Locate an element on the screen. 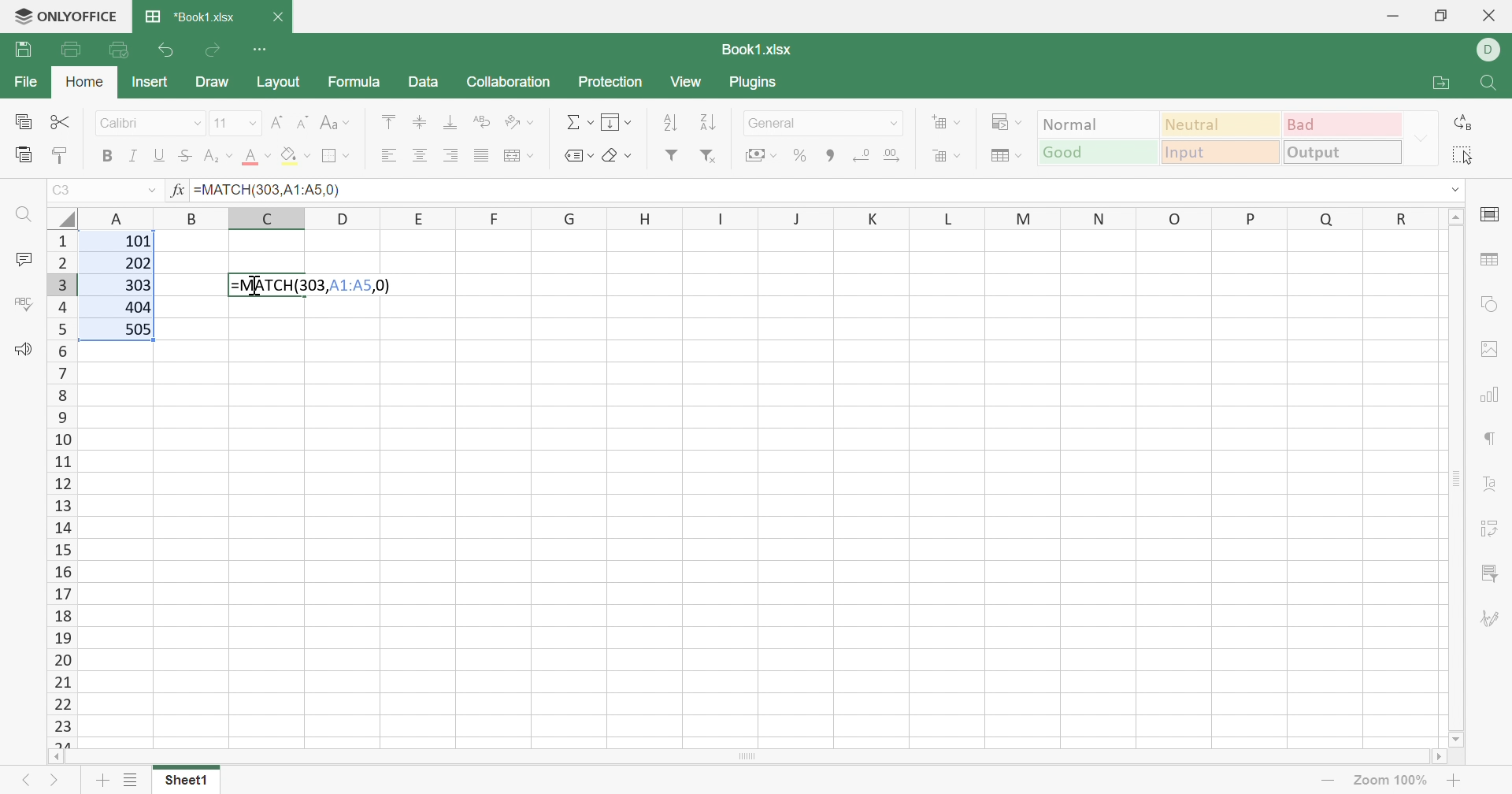 The height and width of the screenshot is (794, 1512). Layout is located at coordinates (284, 83).